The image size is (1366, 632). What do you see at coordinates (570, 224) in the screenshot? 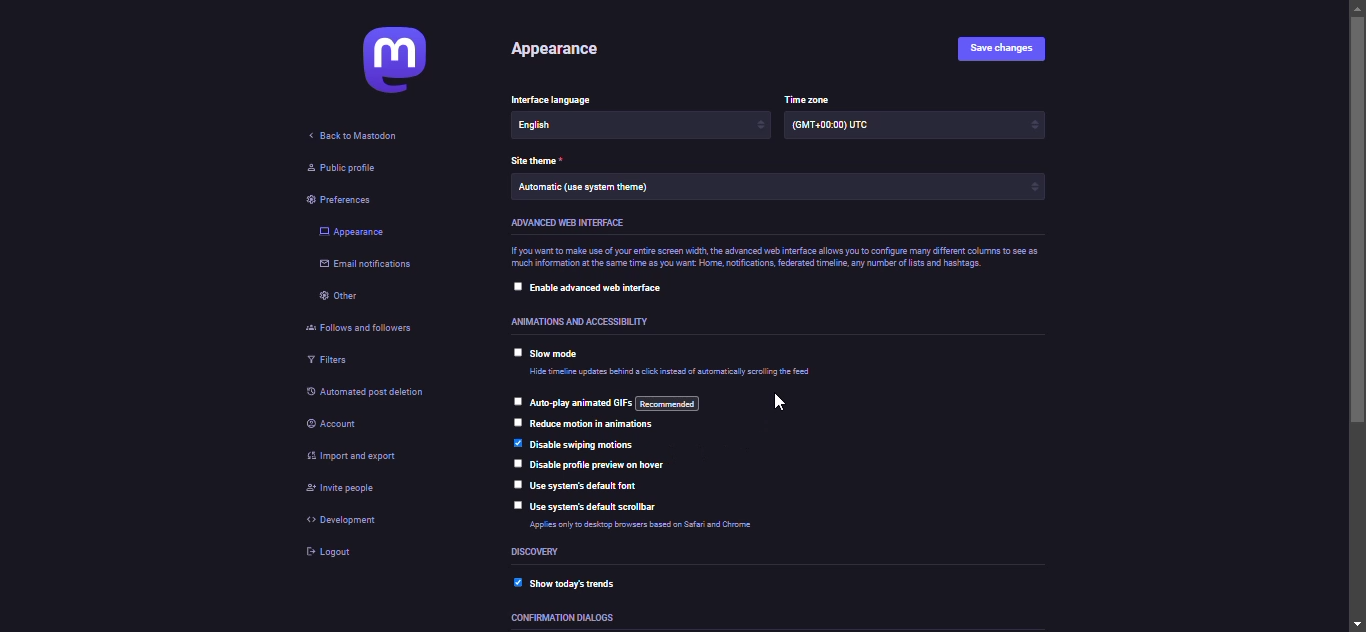
I see `advanced web interface` at bounding box center [570, 224].